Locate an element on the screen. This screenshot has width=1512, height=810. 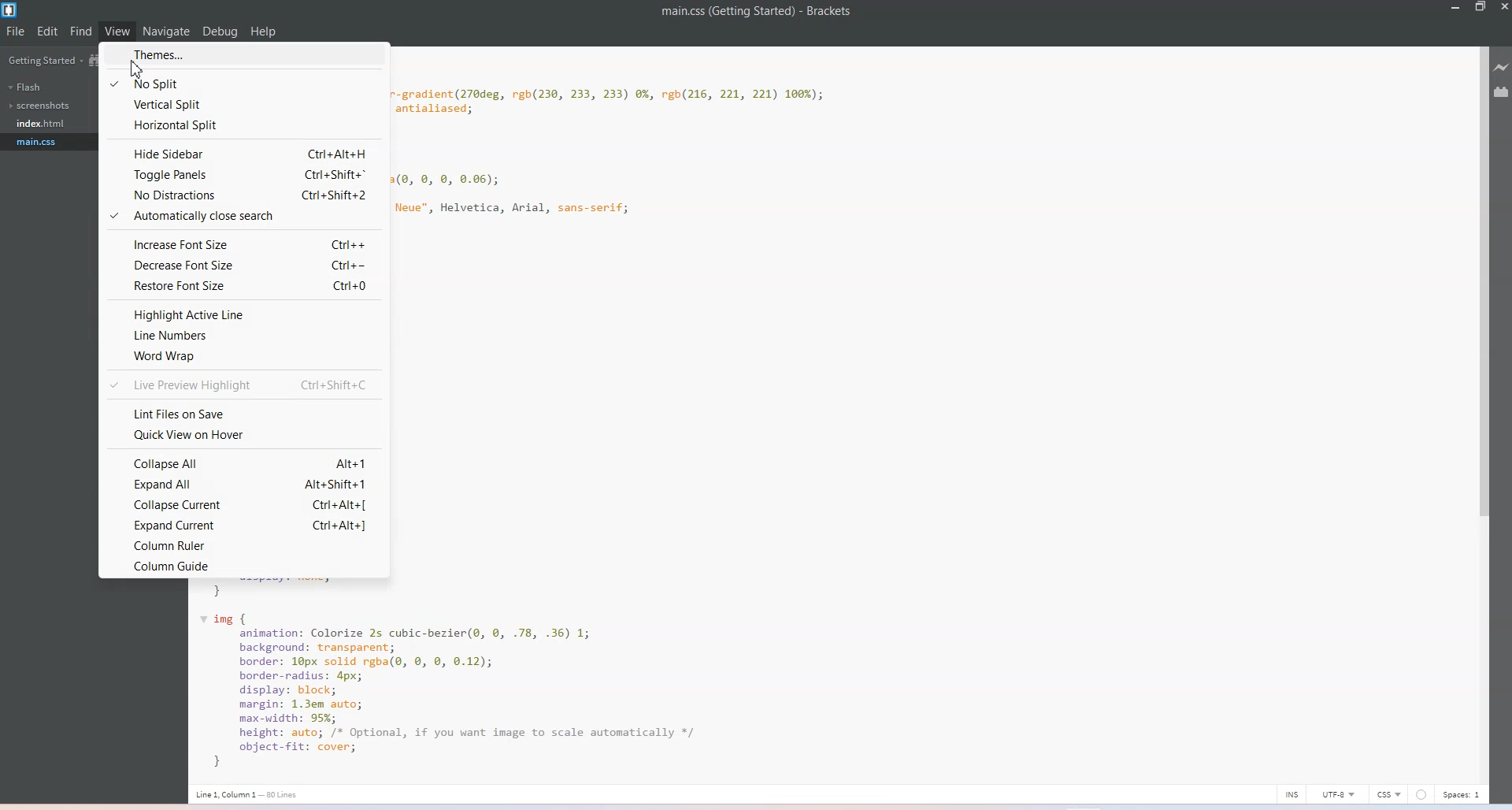
UTF-8 is located at coordinates (1340, 793).